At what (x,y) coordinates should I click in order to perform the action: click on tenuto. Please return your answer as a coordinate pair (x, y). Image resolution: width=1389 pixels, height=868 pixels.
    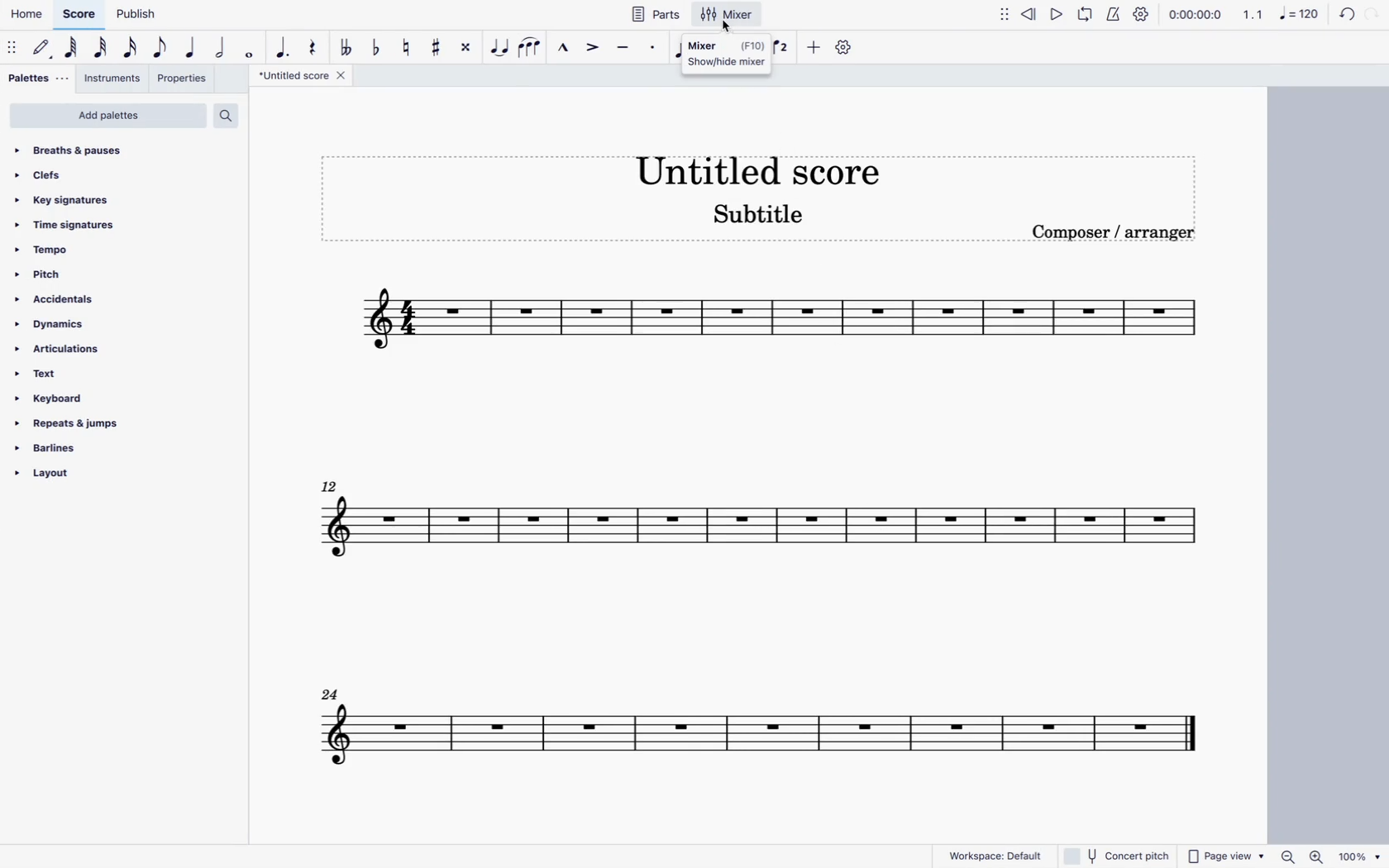
    Looking at the image, I should click on (624, 47).